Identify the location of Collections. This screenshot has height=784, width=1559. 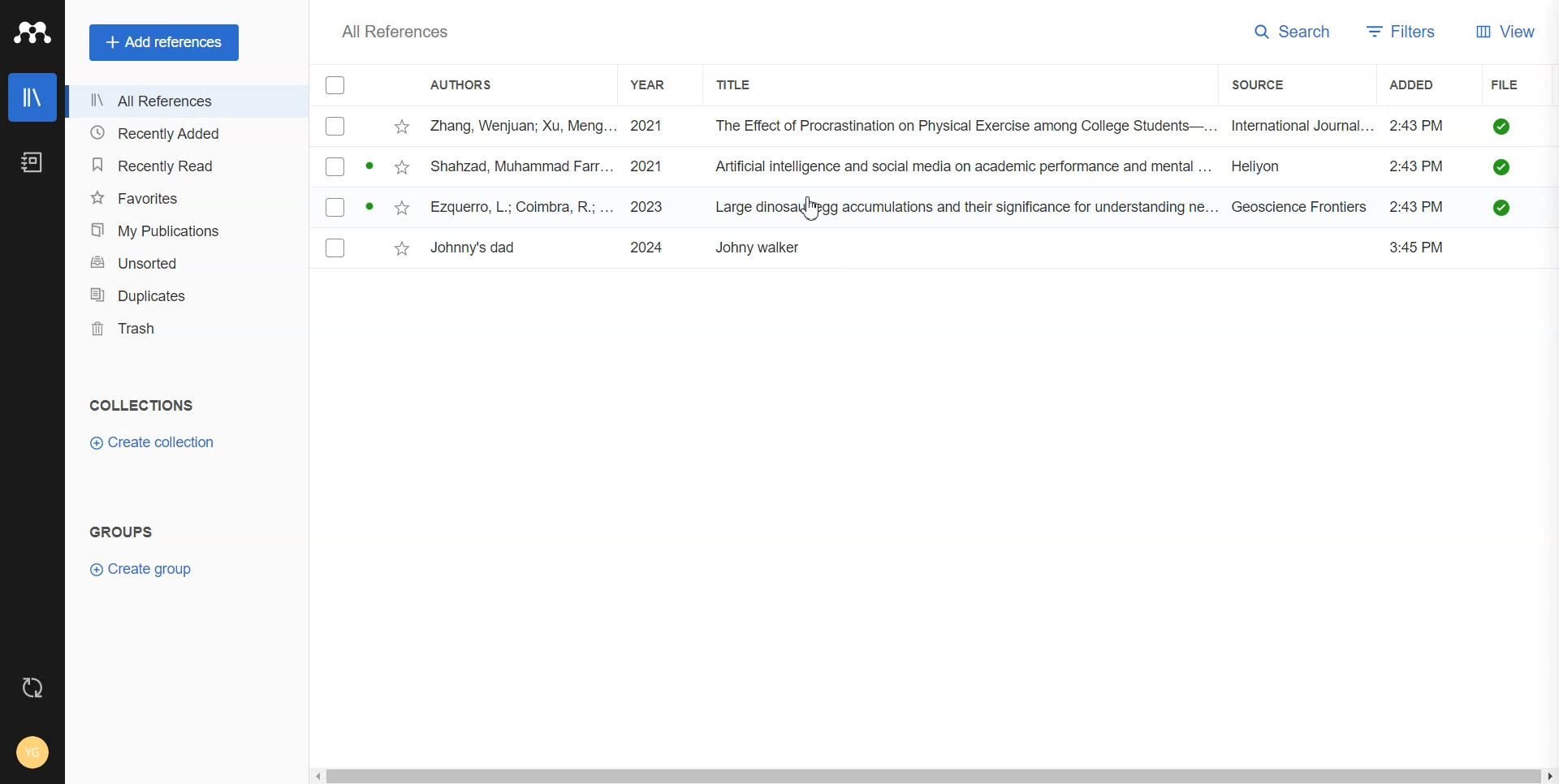
(141, 406).